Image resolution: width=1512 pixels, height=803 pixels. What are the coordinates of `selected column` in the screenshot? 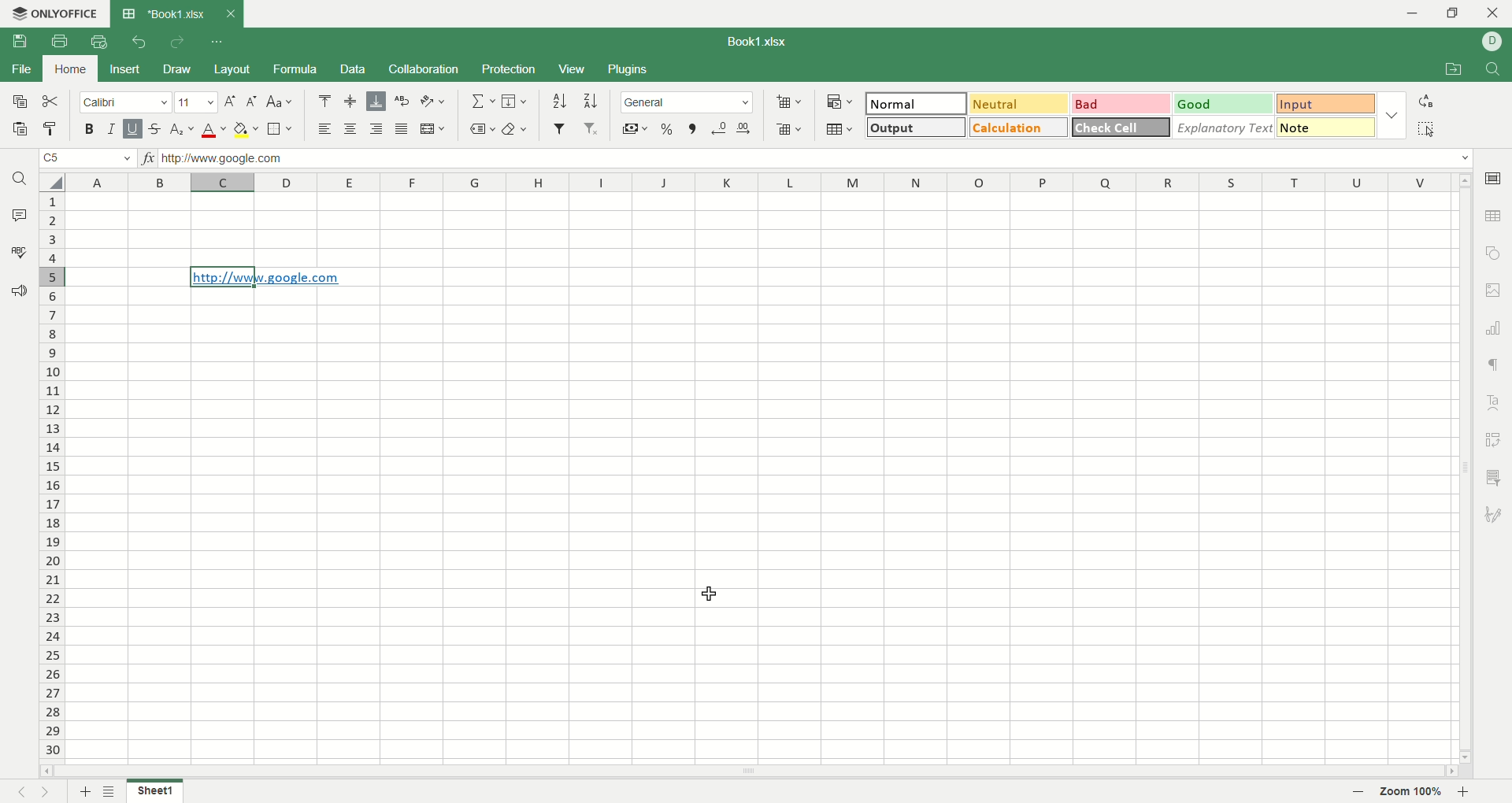 It's located at (224, 181).